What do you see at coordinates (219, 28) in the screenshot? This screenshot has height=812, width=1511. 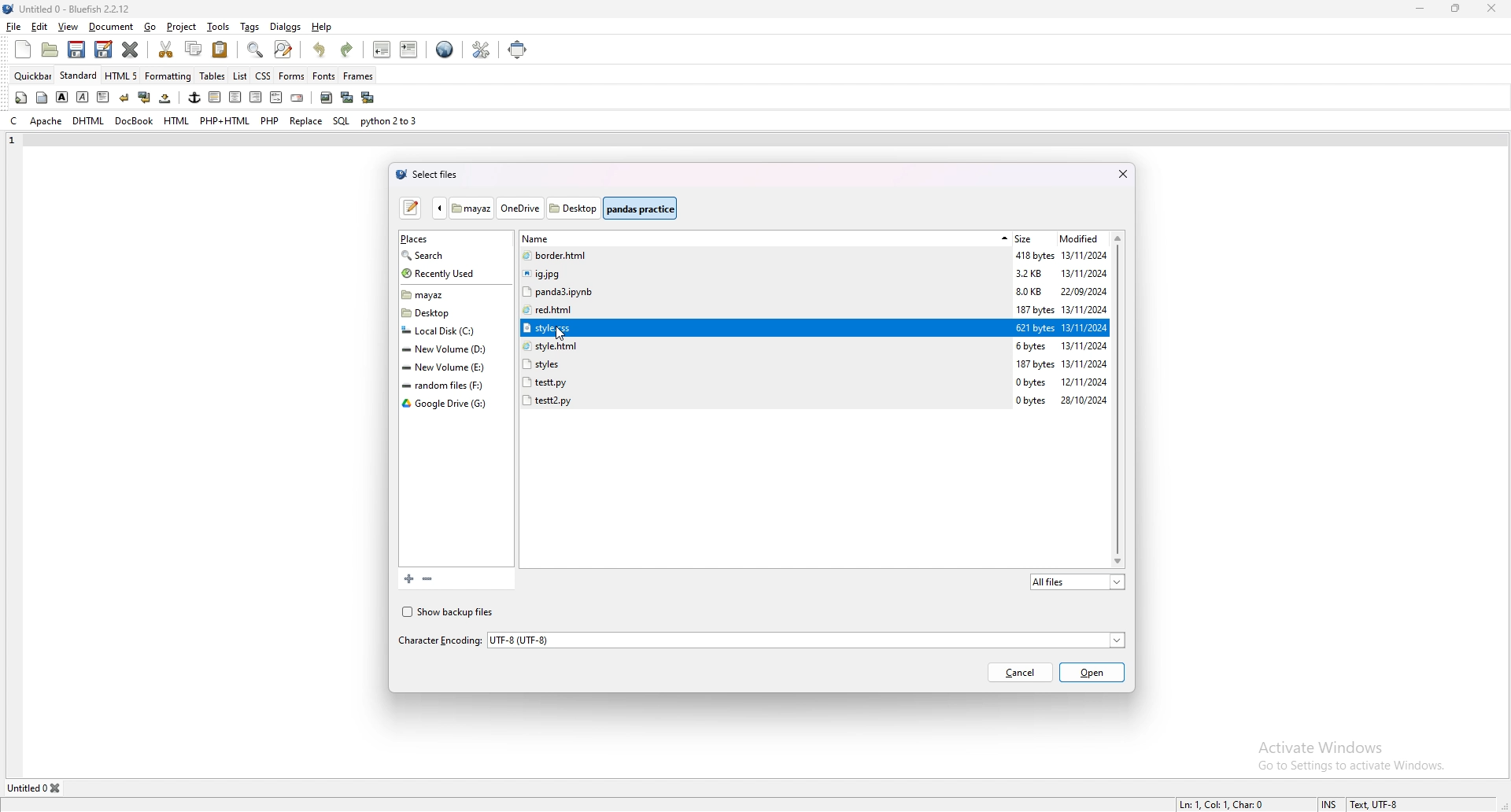 I see `tools` at bounding box center [219, 28].